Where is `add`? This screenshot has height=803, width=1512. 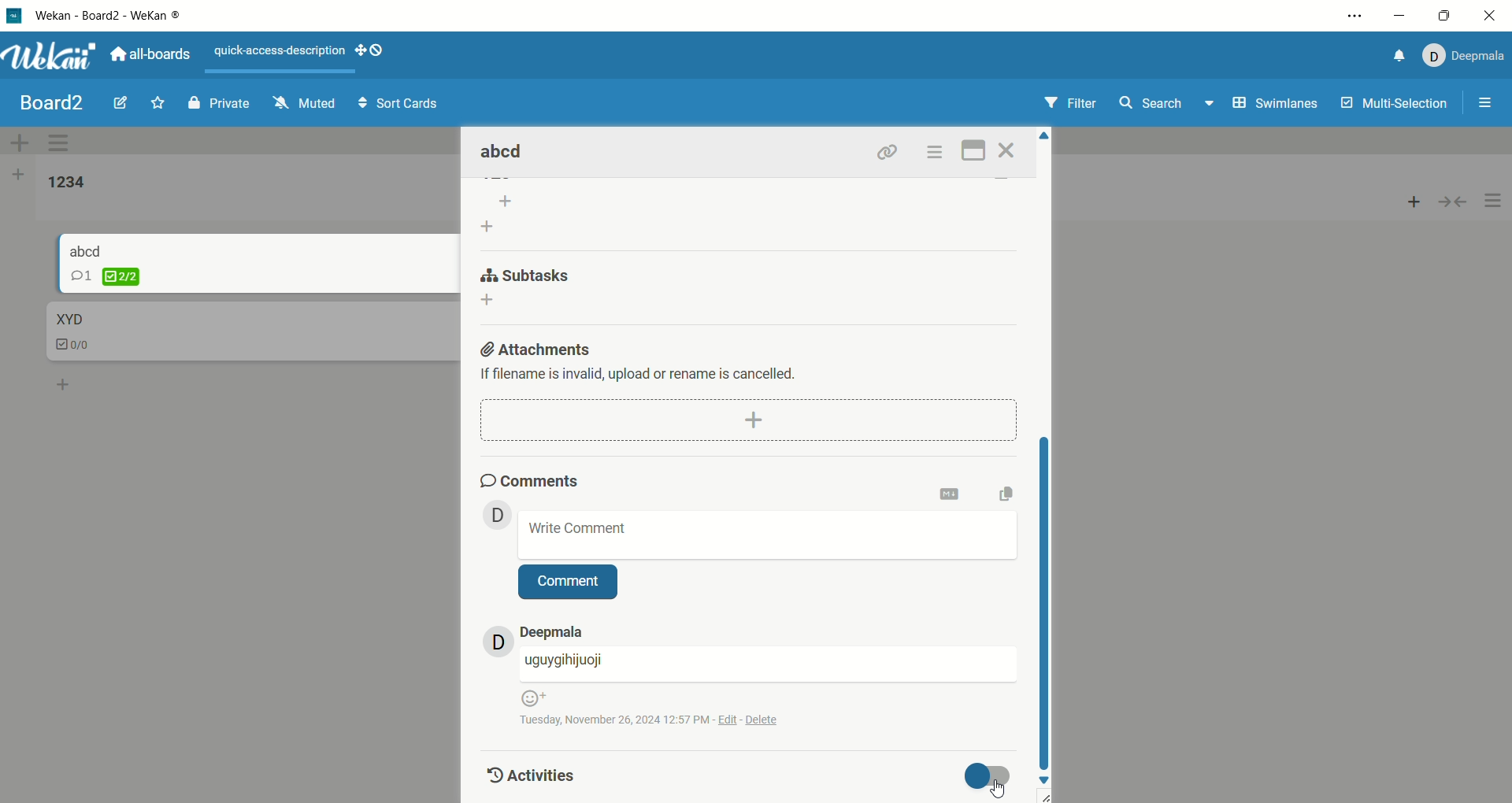 add is located at coordinates (748, 419).